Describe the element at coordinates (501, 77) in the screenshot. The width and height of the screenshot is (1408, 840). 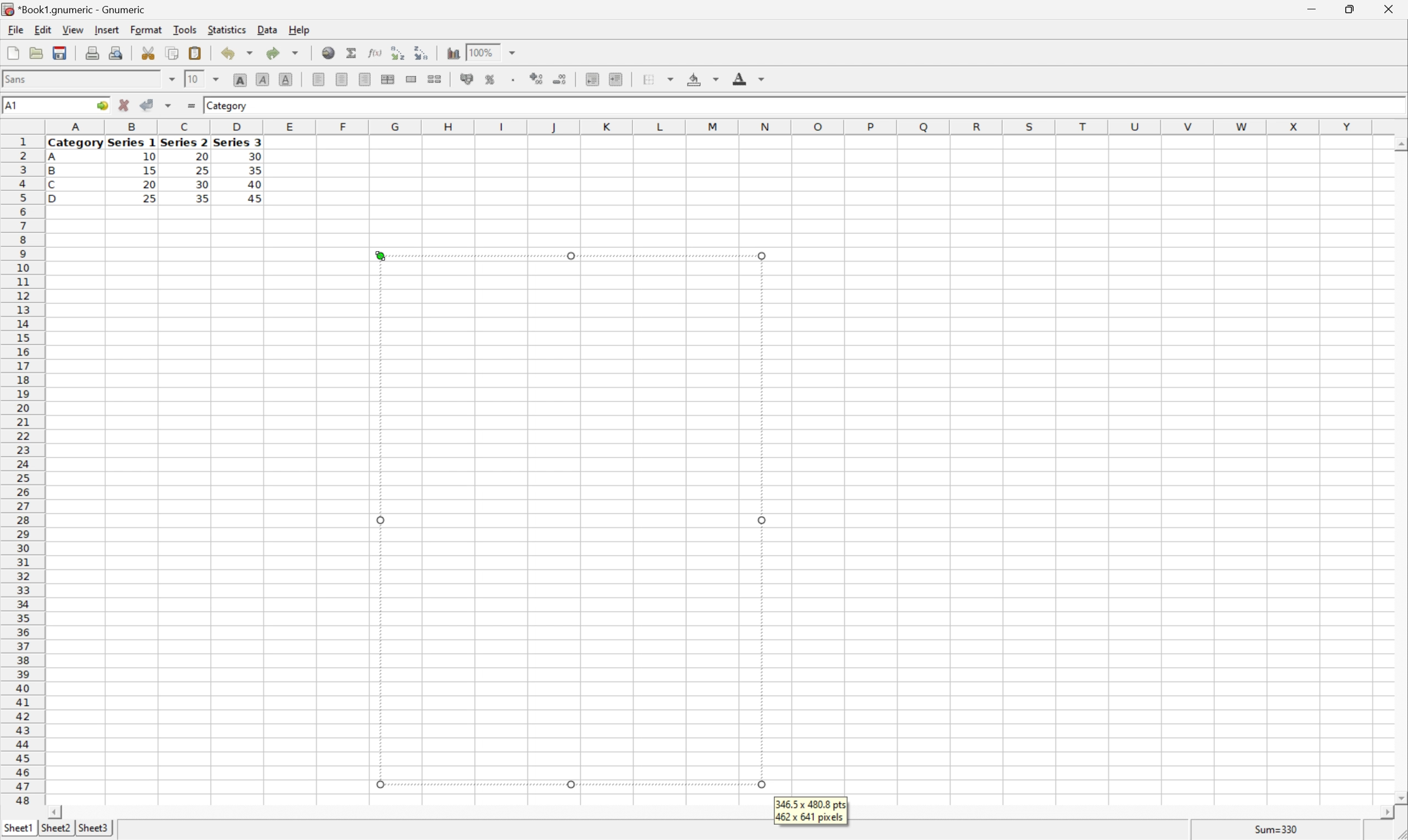
I see `Insert a chart` at that location.